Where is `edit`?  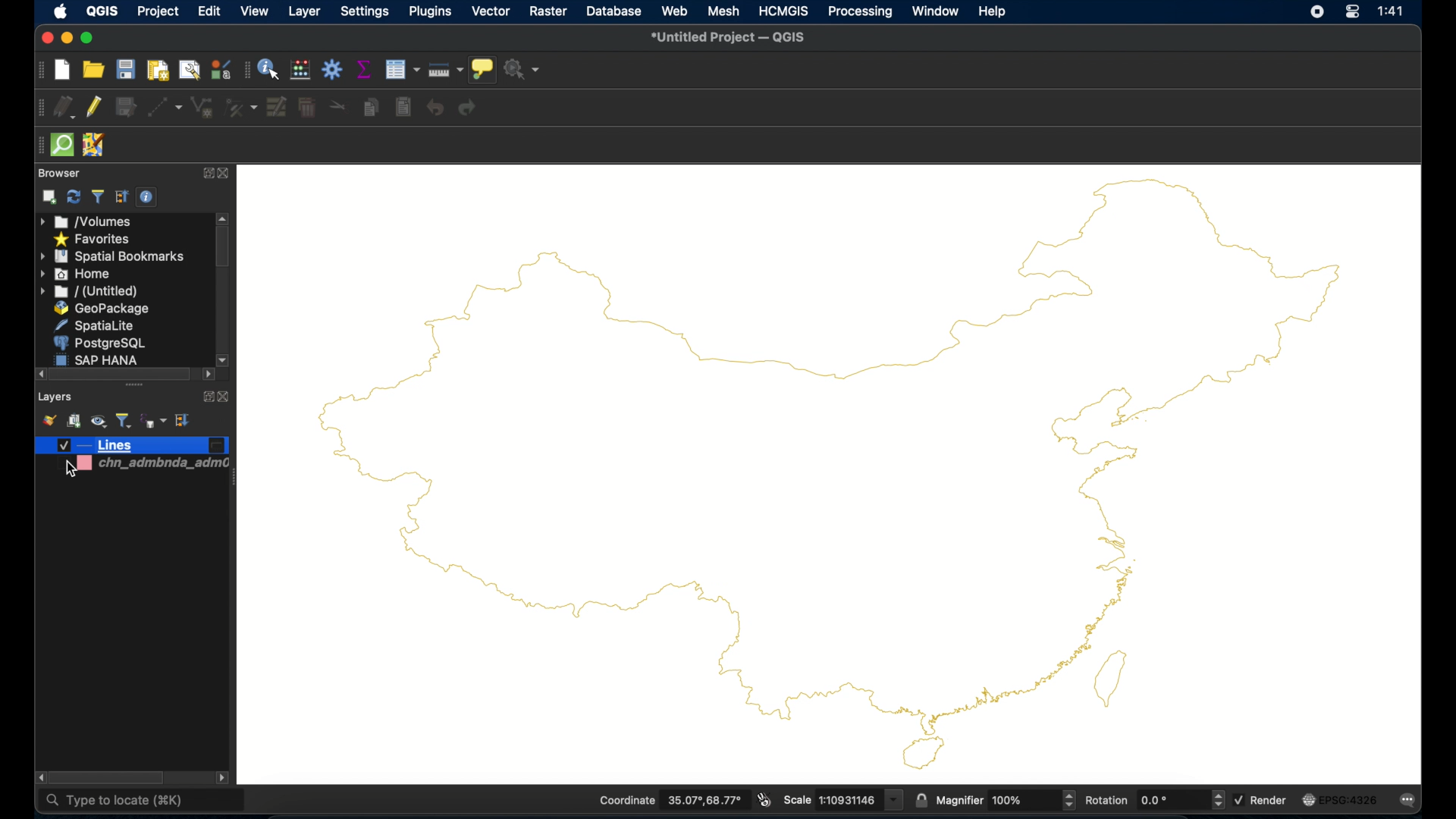
edit is located at coordinates (206, 11).